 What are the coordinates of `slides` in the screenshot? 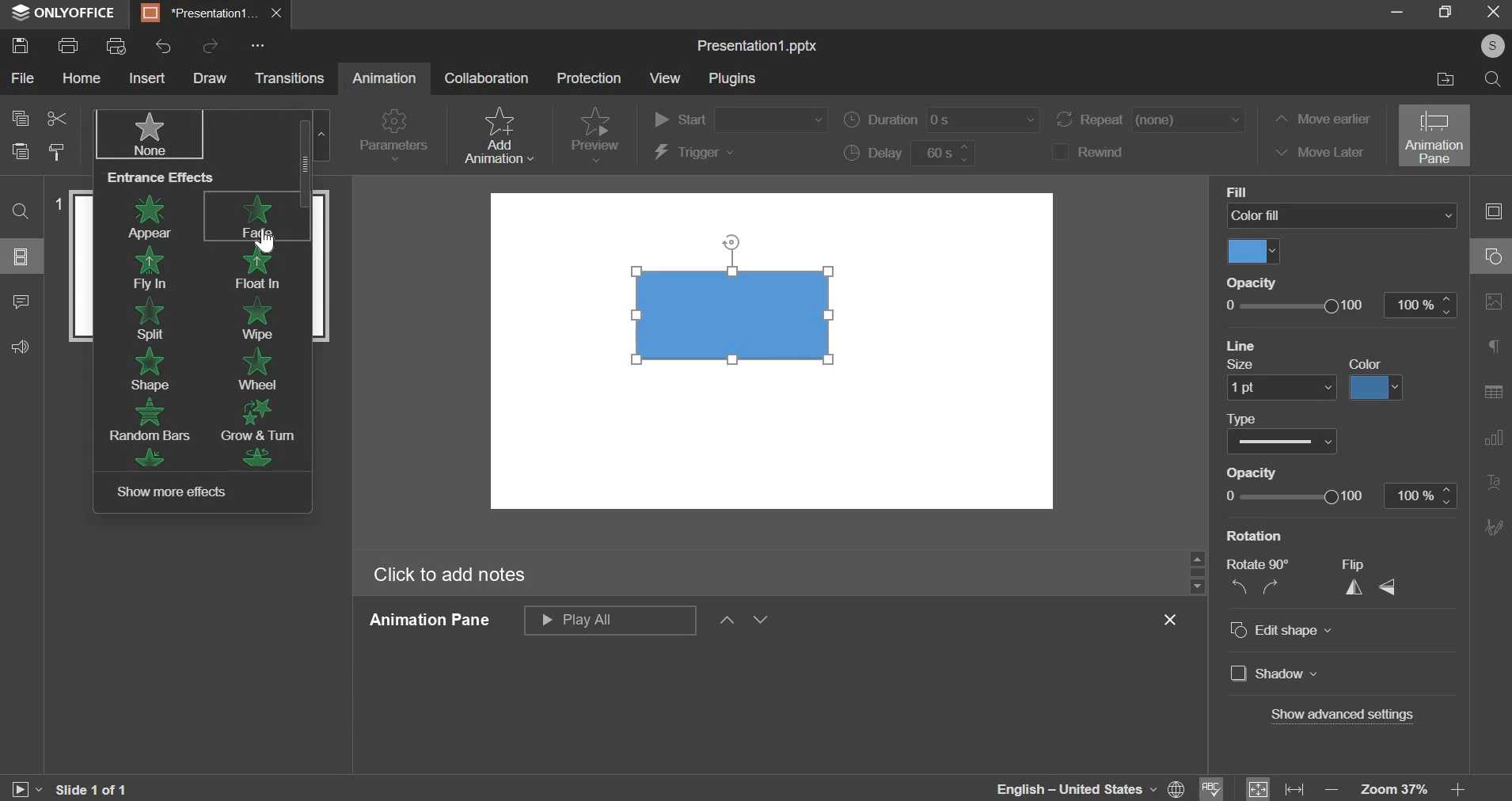 It's located at (23, 256).